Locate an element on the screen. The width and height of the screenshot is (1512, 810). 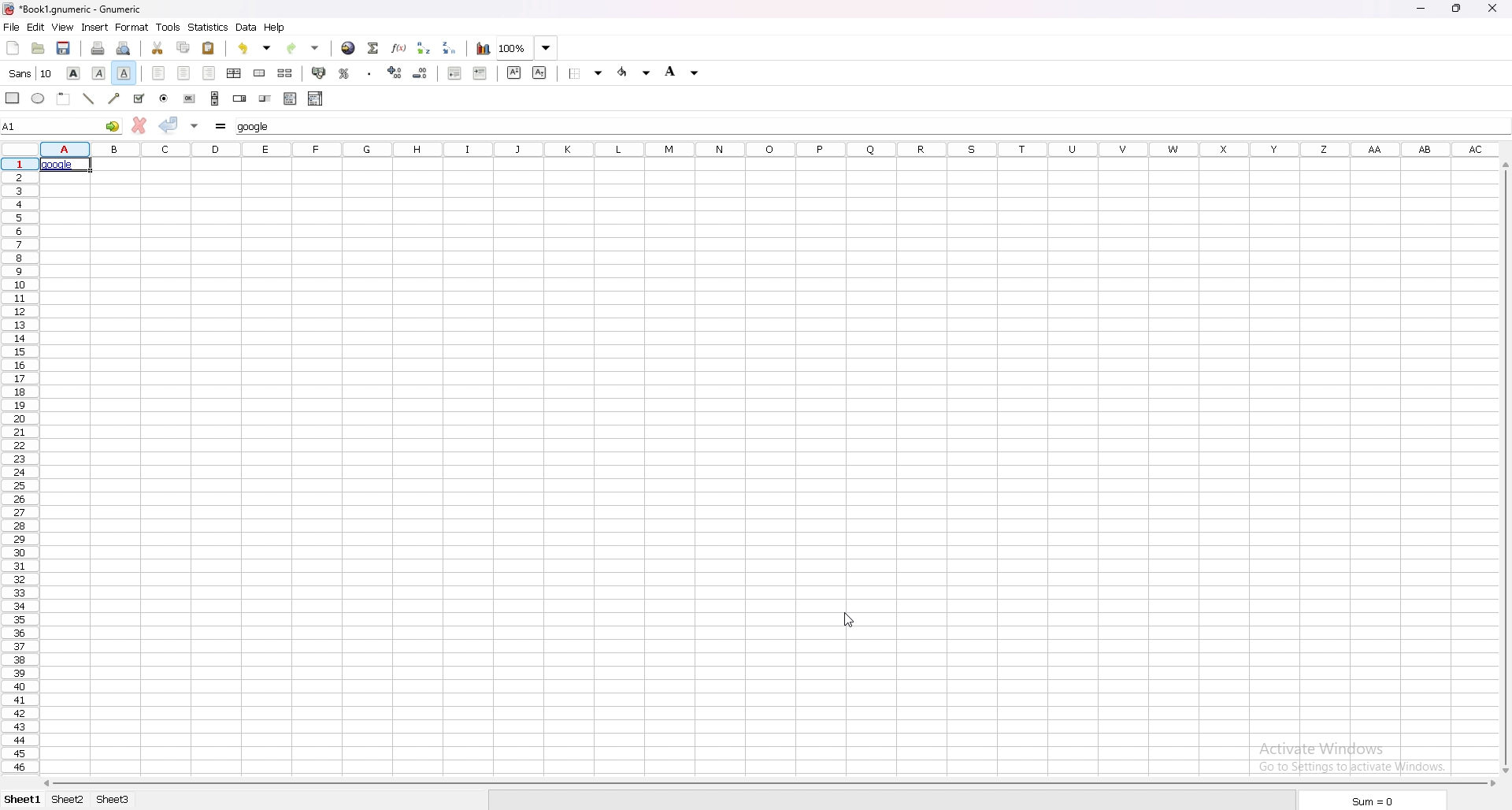
centre is located at coordinates (183, 72).